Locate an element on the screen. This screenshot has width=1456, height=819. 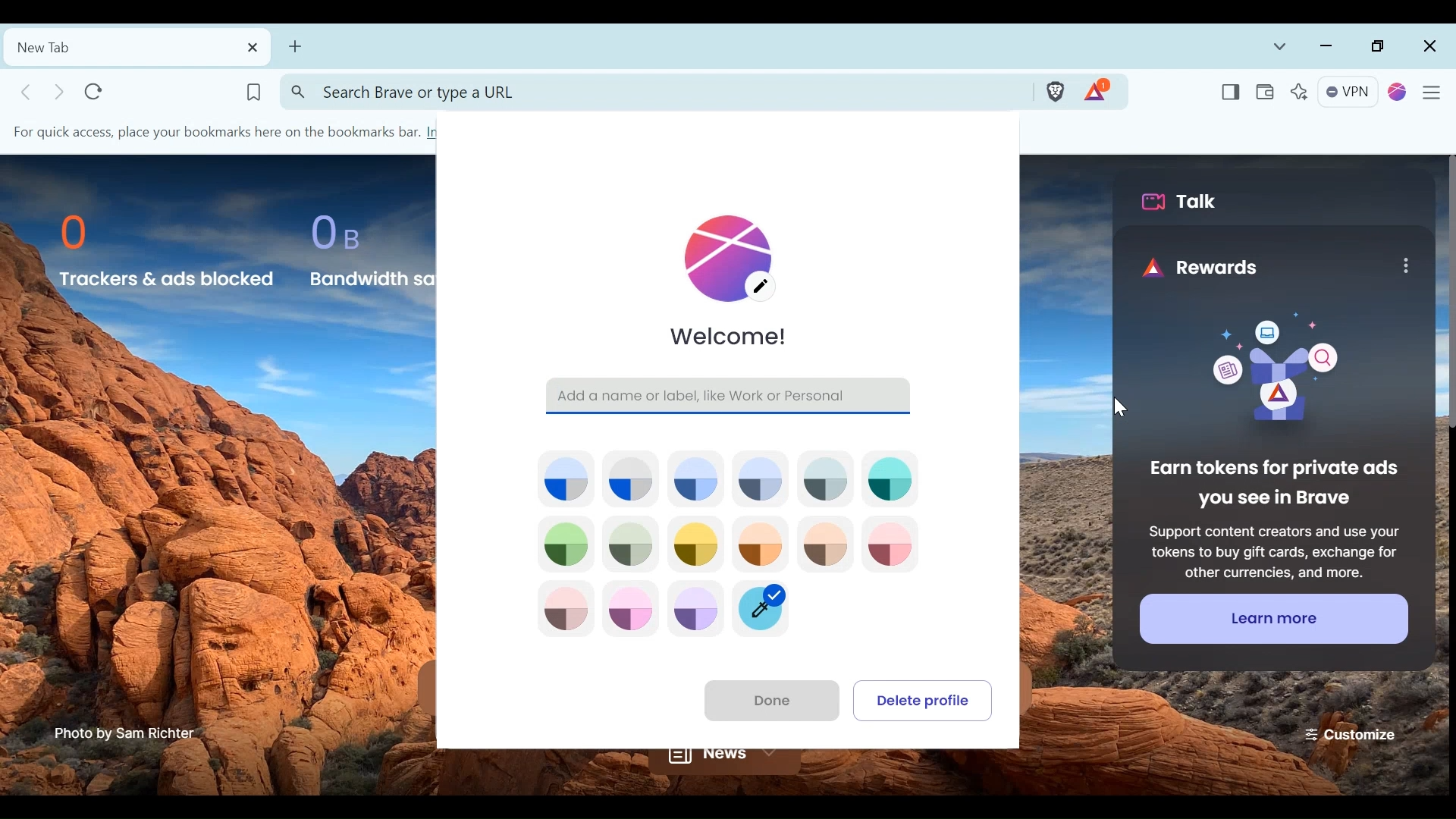
Leo AI is located at coordinates (1298, 93).